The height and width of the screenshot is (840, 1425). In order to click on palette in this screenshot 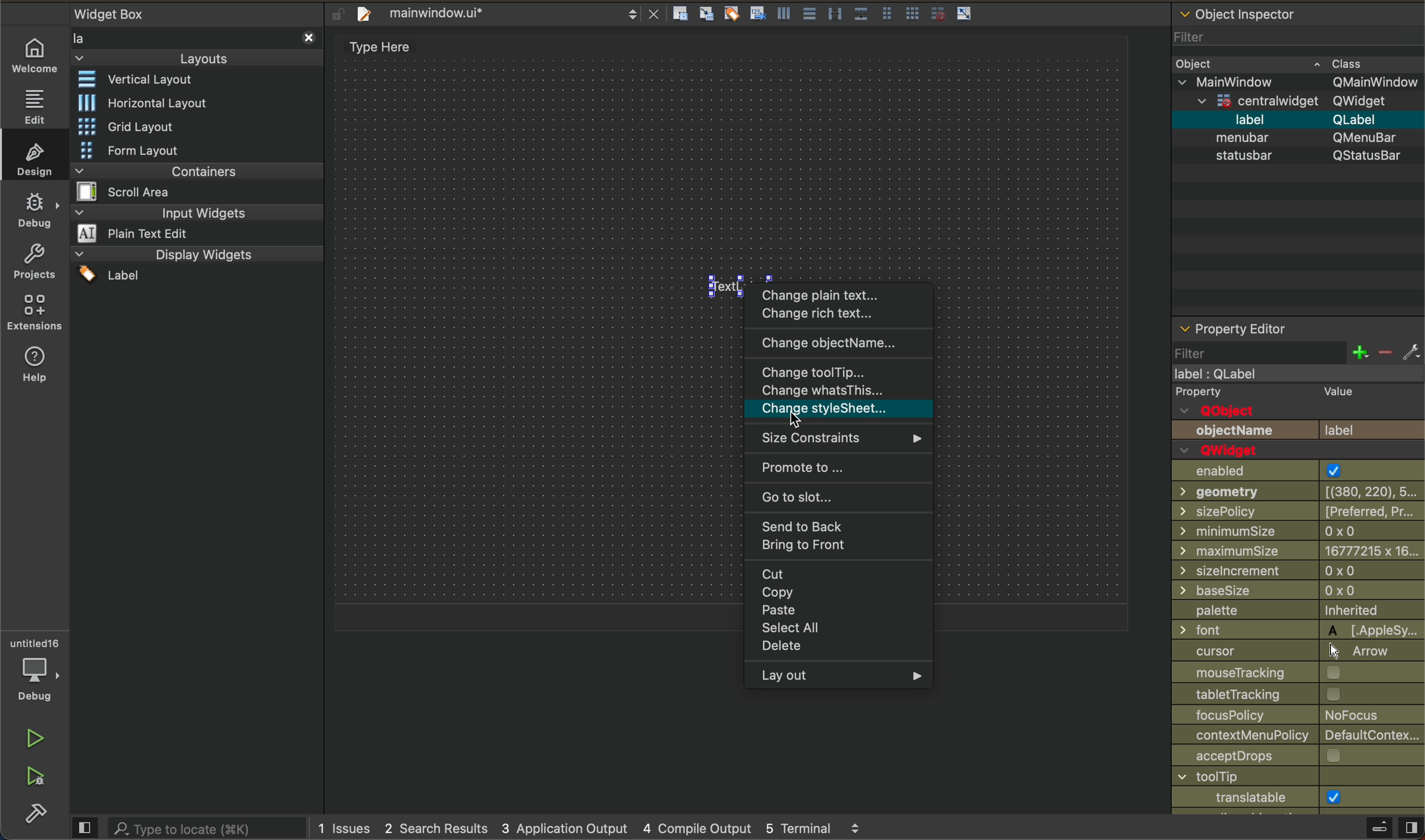, I will do `click(1298, 610)`.